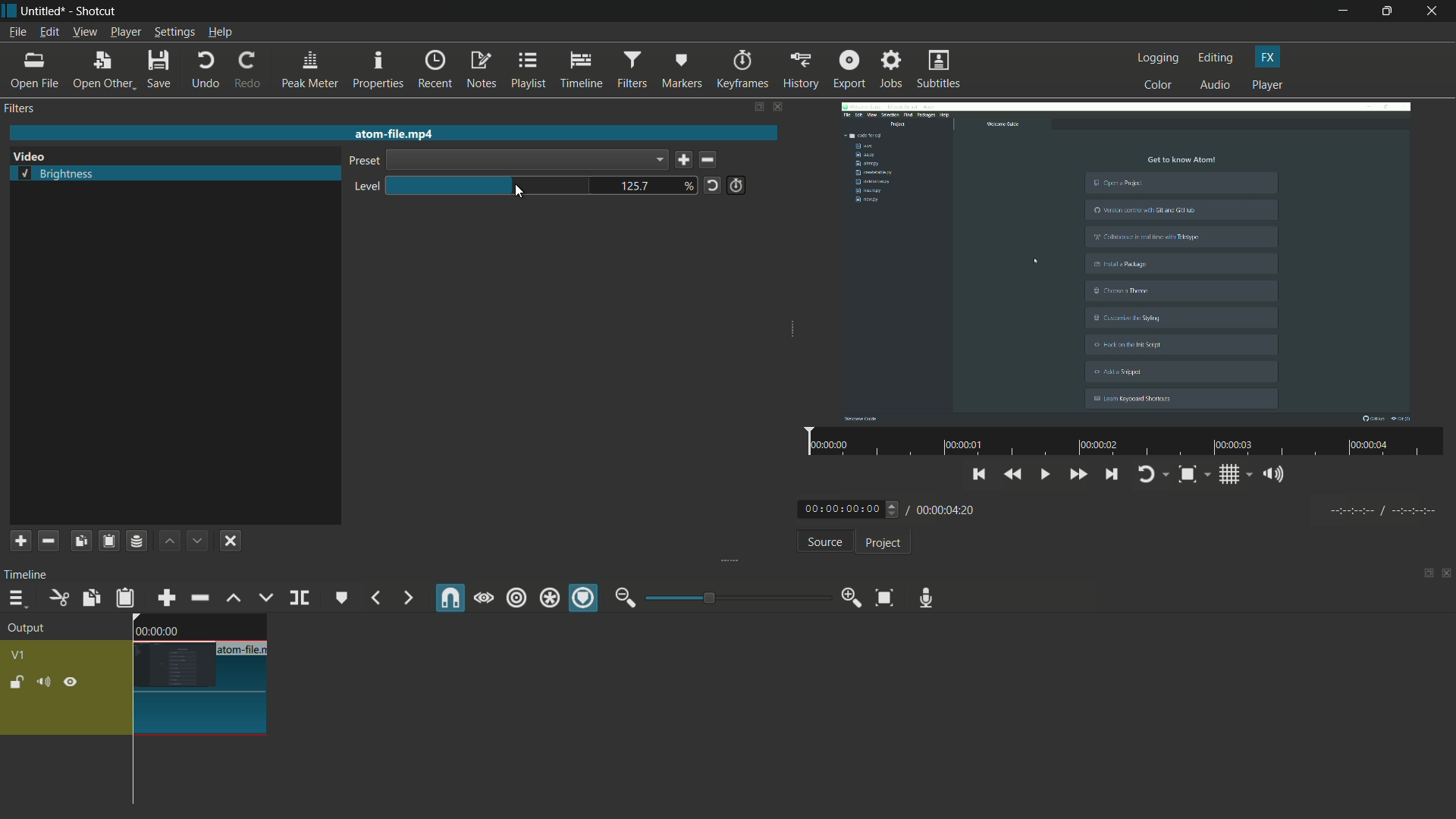 The width and height of the screenshot is (1456, 819). What do you see at coordinates (1047, 475) in the screenshot?
I see `toggle play/pause` at bounding box center [1047, 475].